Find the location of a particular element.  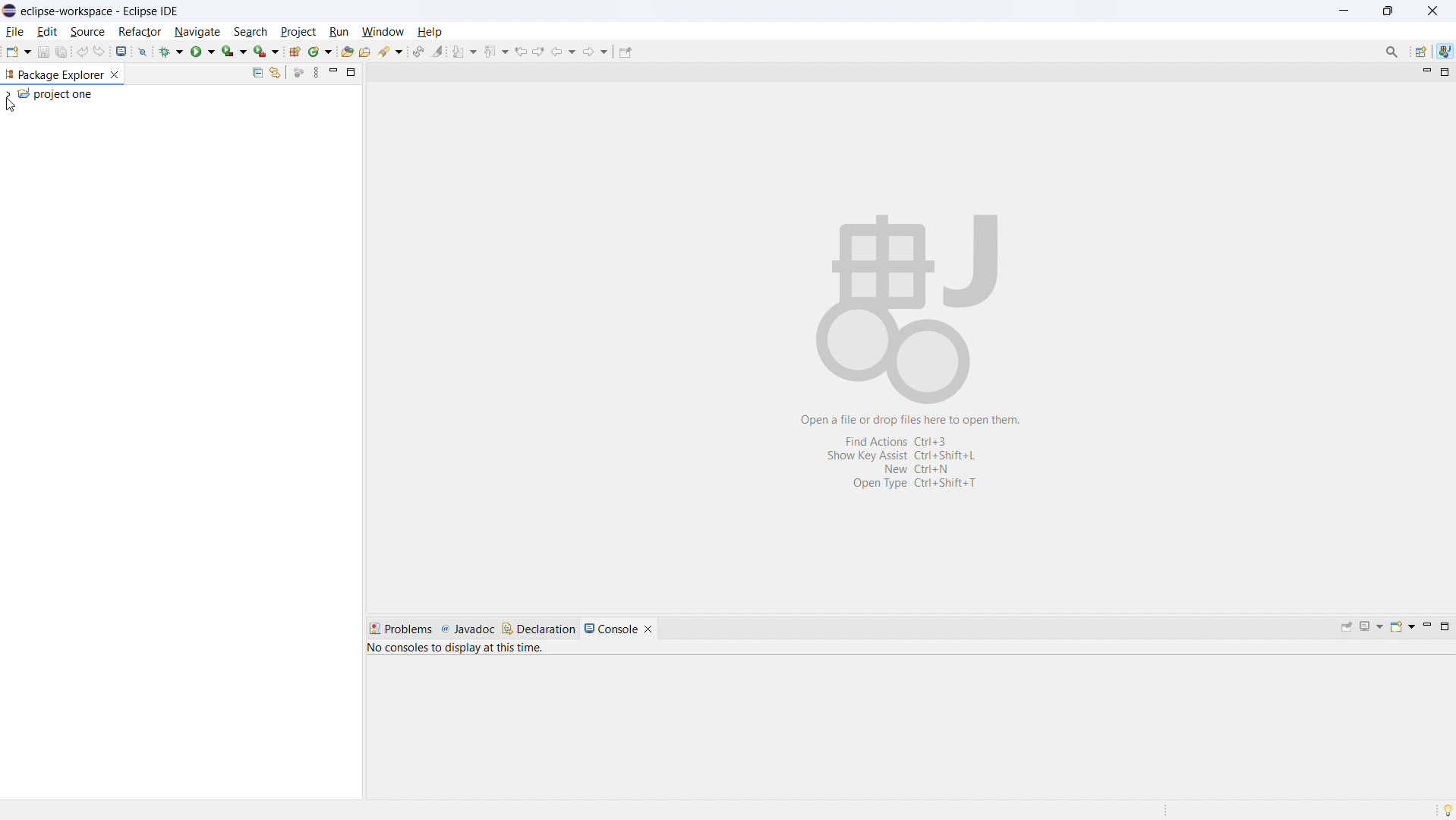

previous edit location is located at coordinates (519, 52).